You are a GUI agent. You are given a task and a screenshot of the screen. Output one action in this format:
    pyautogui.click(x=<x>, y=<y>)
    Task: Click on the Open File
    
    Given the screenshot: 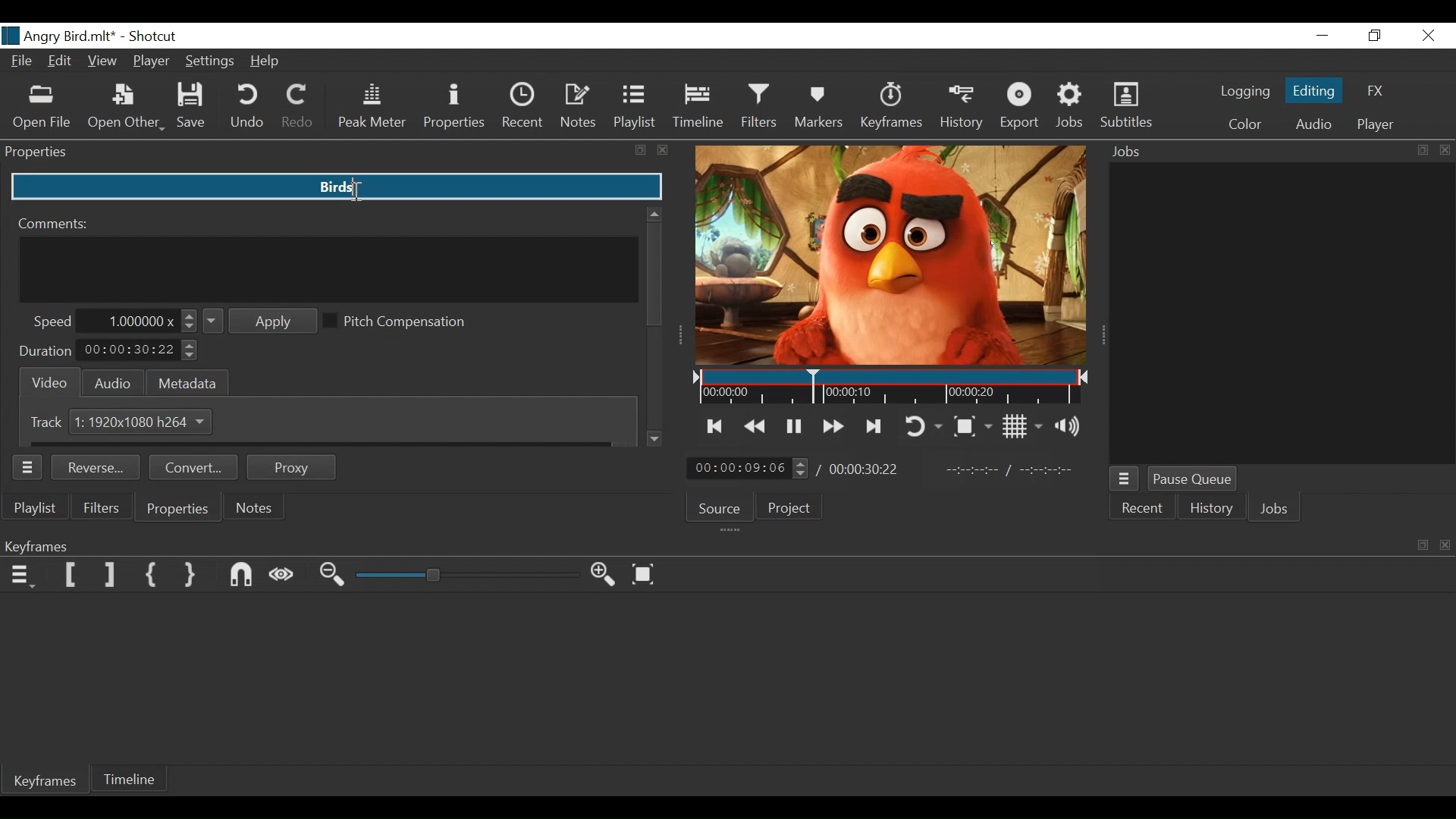 What is the action you would take?
    pyautogui.click(x=42, y=107)
    